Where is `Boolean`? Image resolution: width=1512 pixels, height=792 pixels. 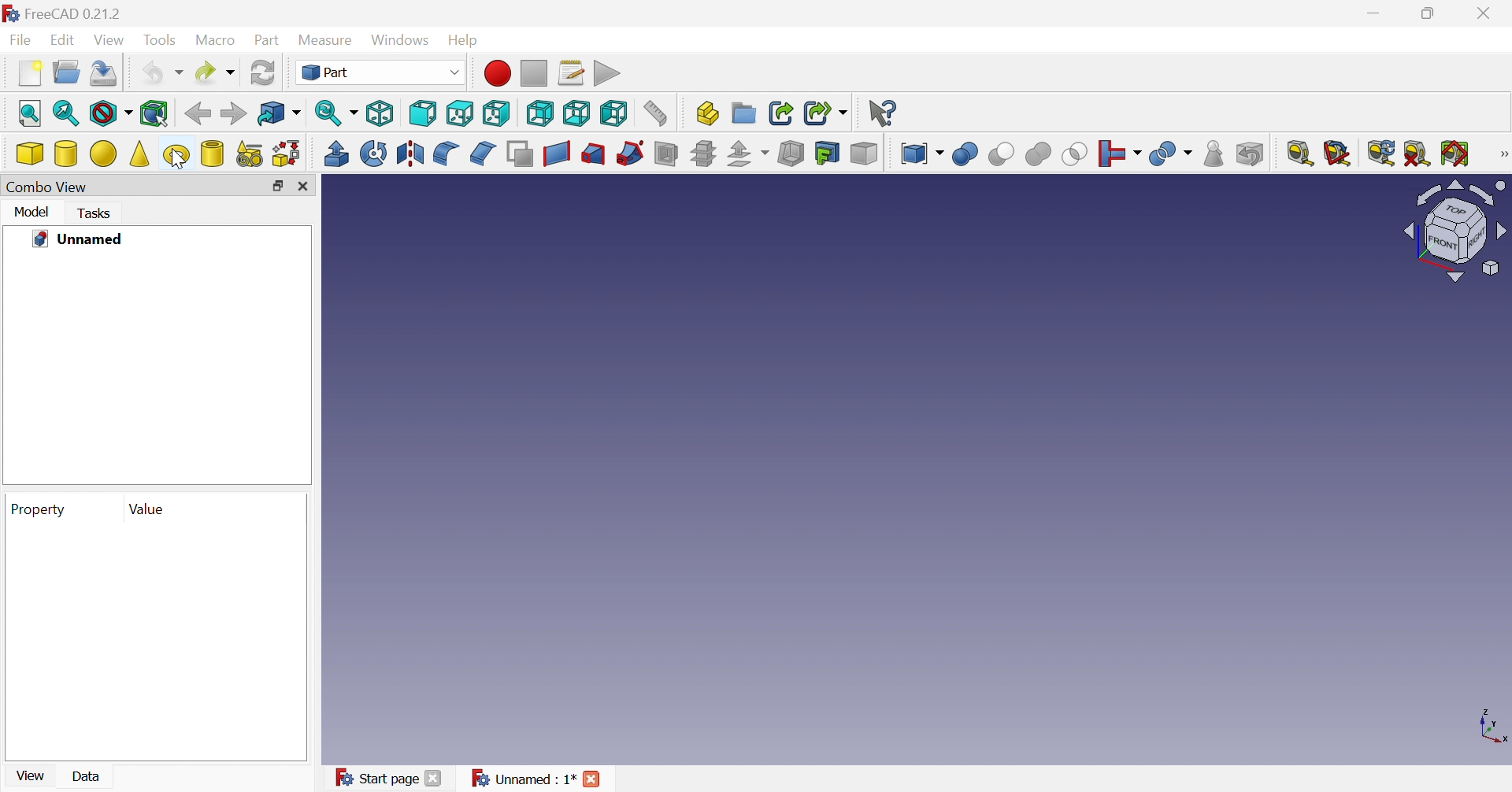
Boolean is located at coordinates (966, 154).